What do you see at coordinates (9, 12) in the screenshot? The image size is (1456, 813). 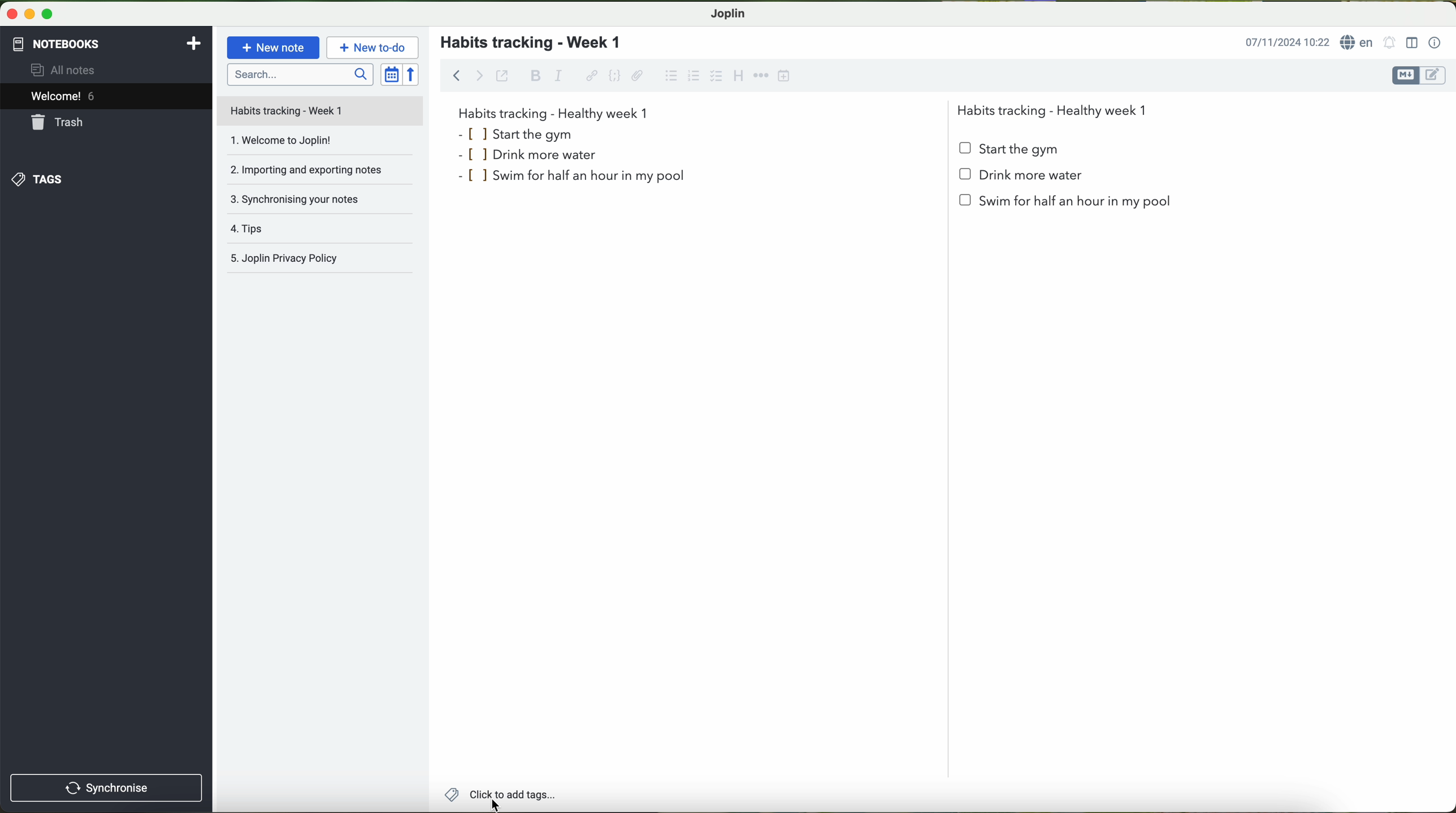 I see `close` at bounding box center [9, 12].